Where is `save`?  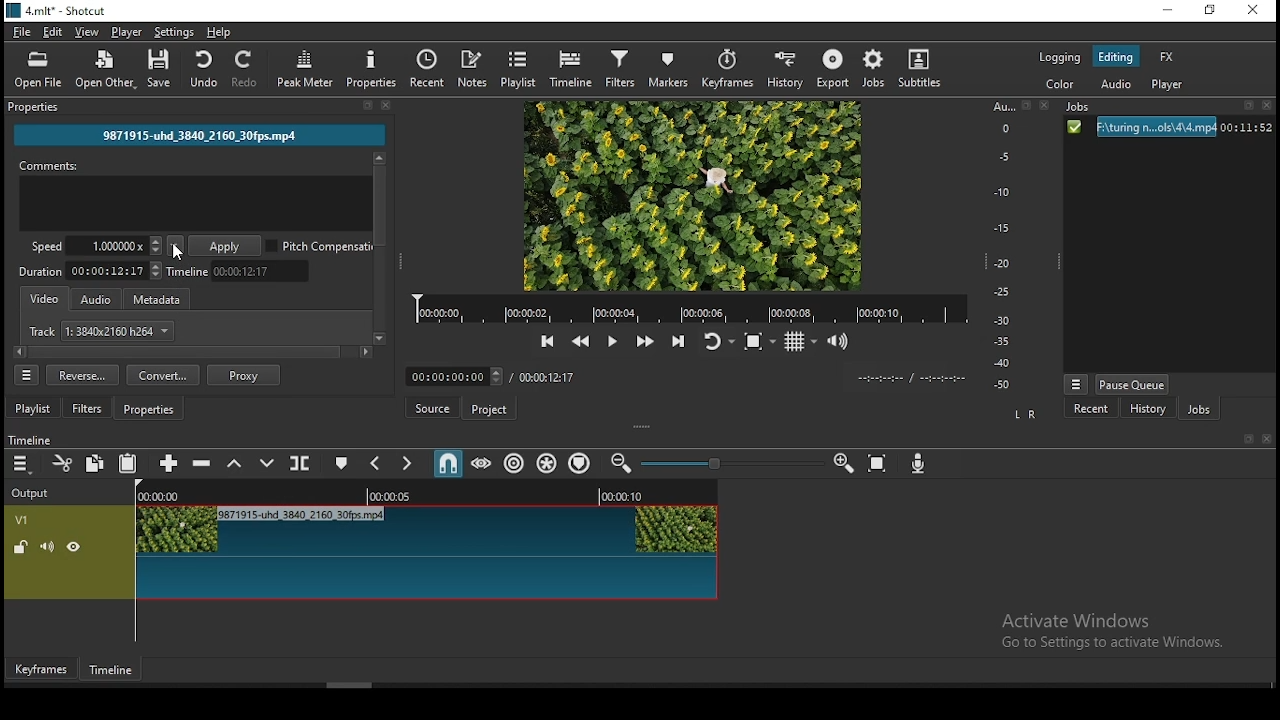
save is located at coordinates (161, 70).